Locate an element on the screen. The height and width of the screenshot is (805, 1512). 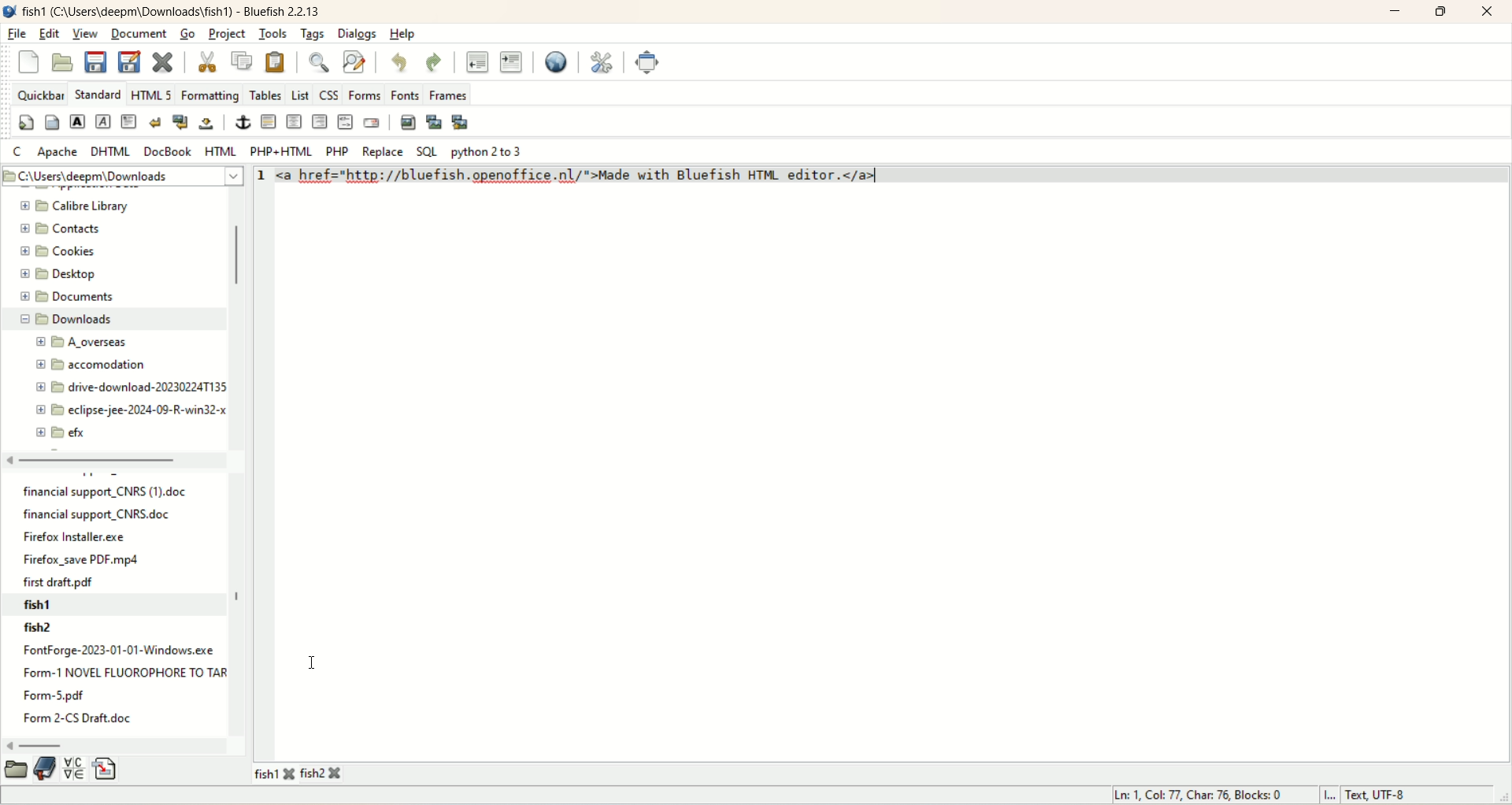
break and clear is located at coordinates (179, 123).